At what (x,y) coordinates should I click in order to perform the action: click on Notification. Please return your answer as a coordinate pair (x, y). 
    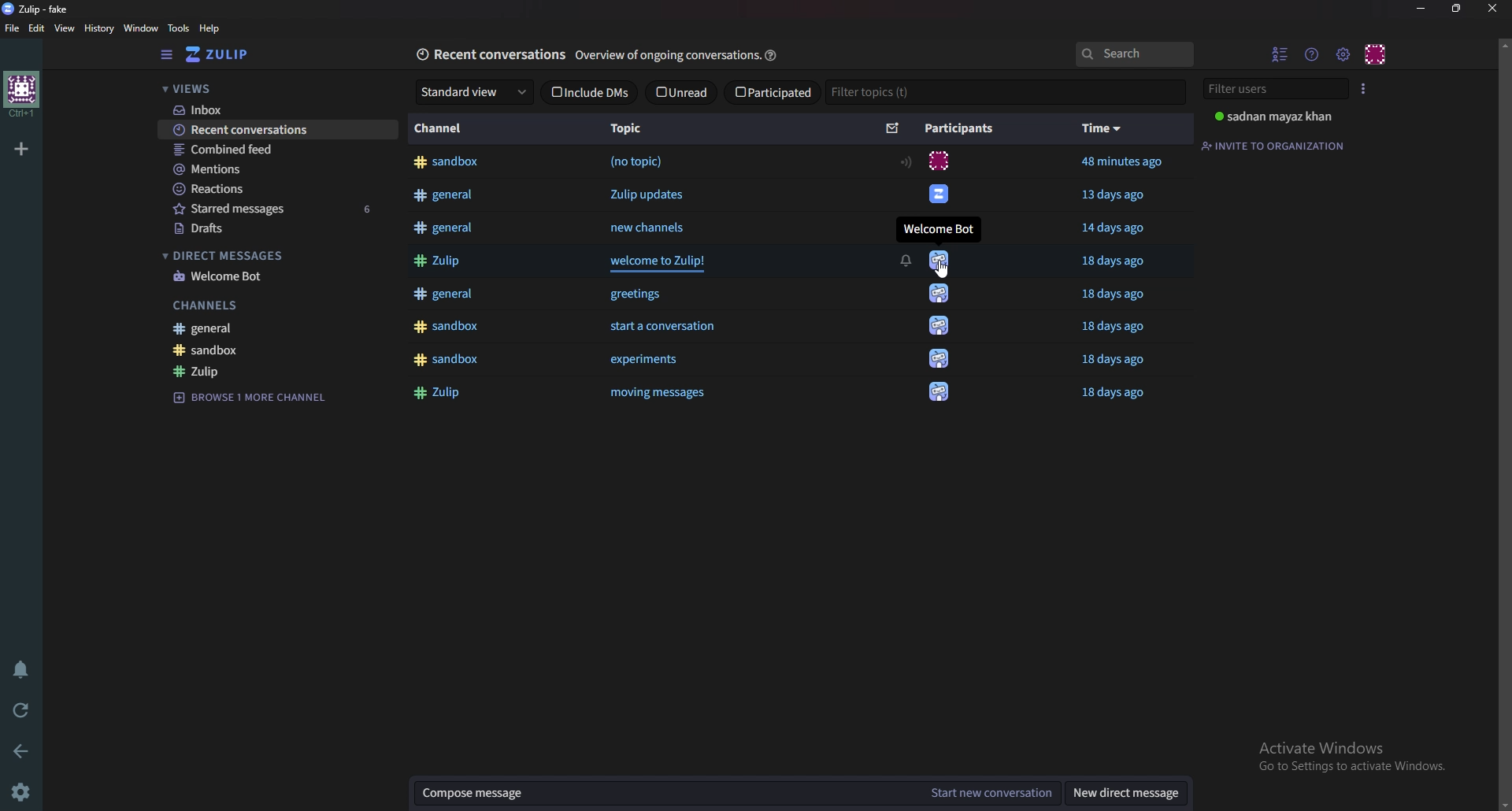
    Looking at the image, I should click on (904, 259).